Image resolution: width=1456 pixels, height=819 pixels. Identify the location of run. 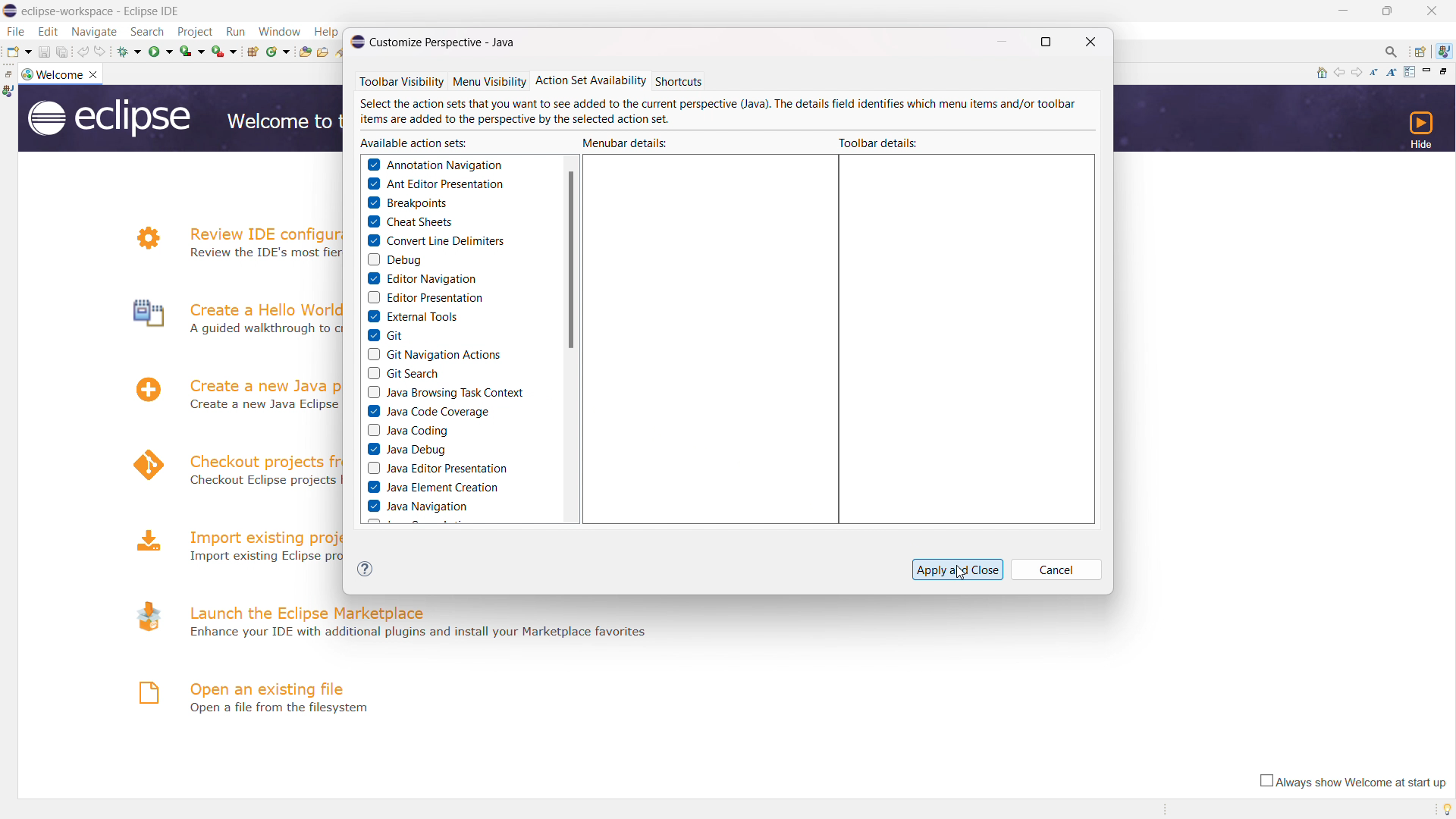
(159, 52).